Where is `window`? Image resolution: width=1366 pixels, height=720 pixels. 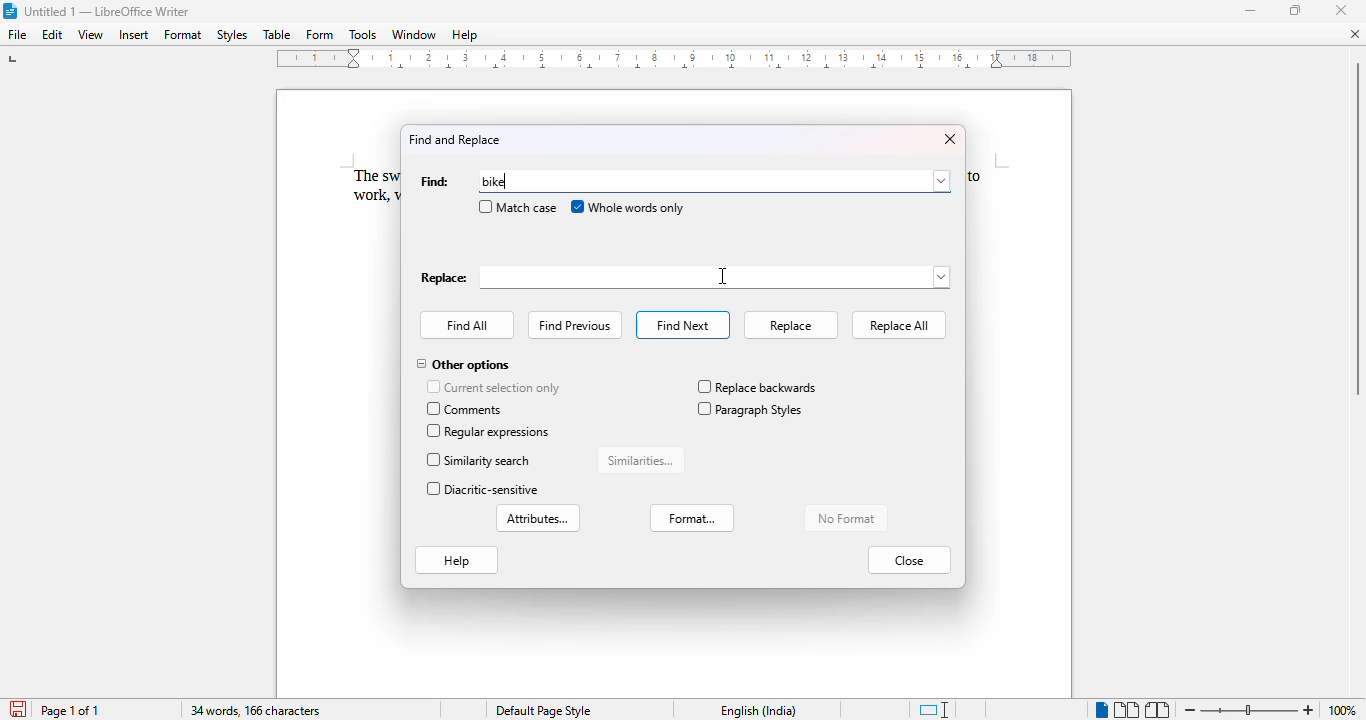
window is located at coordinates (413, 35).